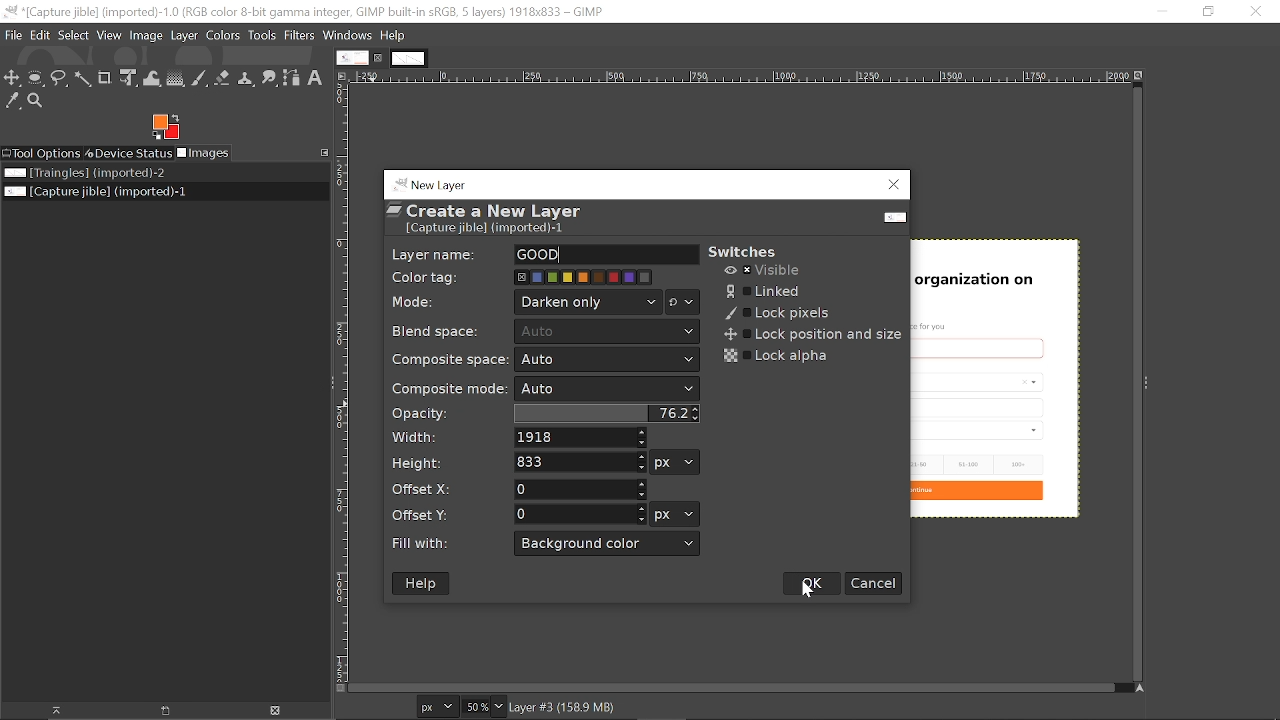 This screenshot has width=1280, height=720. I want to click on Opacity, so click(610, 413).